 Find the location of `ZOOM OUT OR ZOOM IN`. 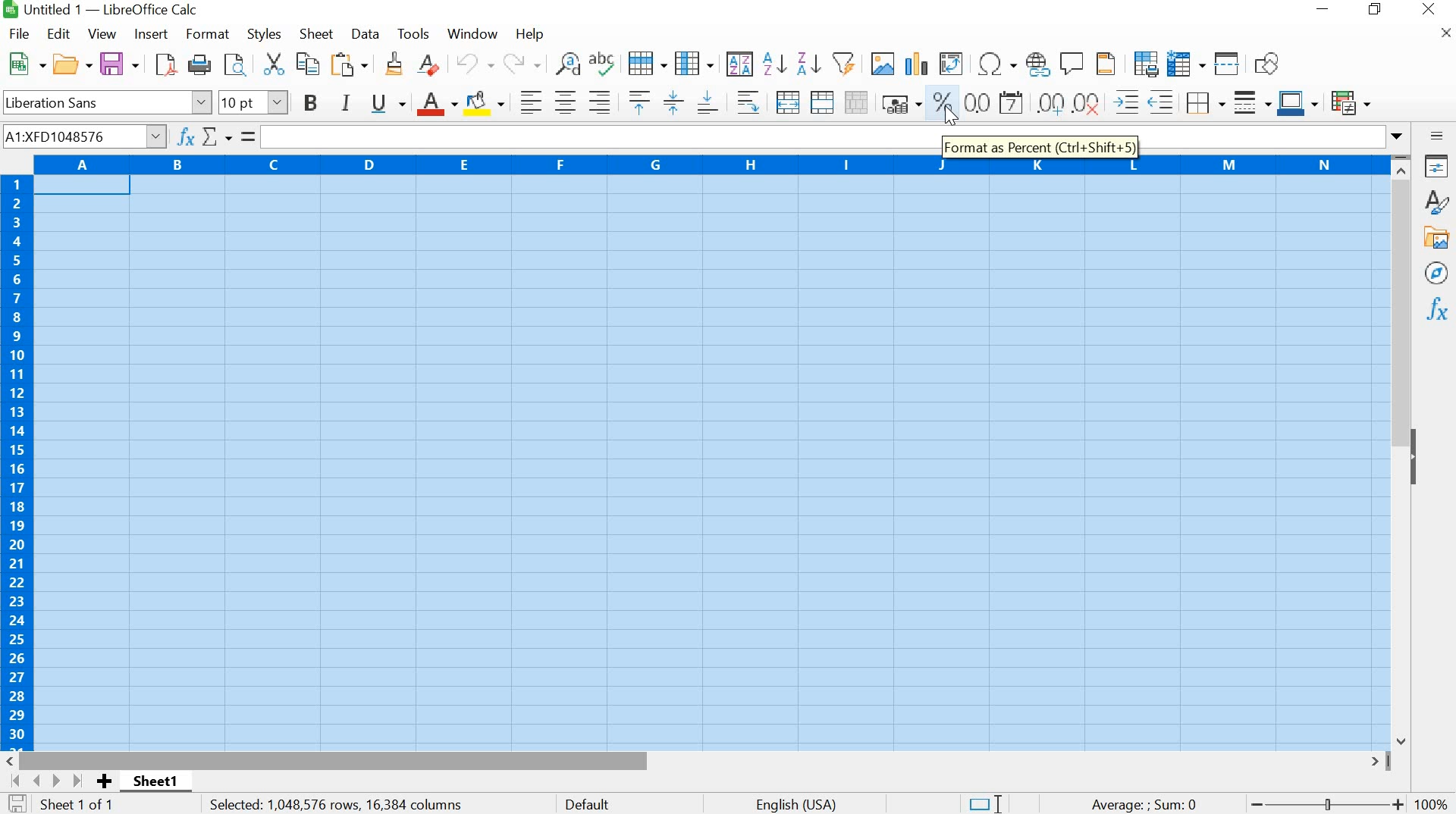

ZOOM OUT OR ZOOM IN is located at coordinates (1329, 803).